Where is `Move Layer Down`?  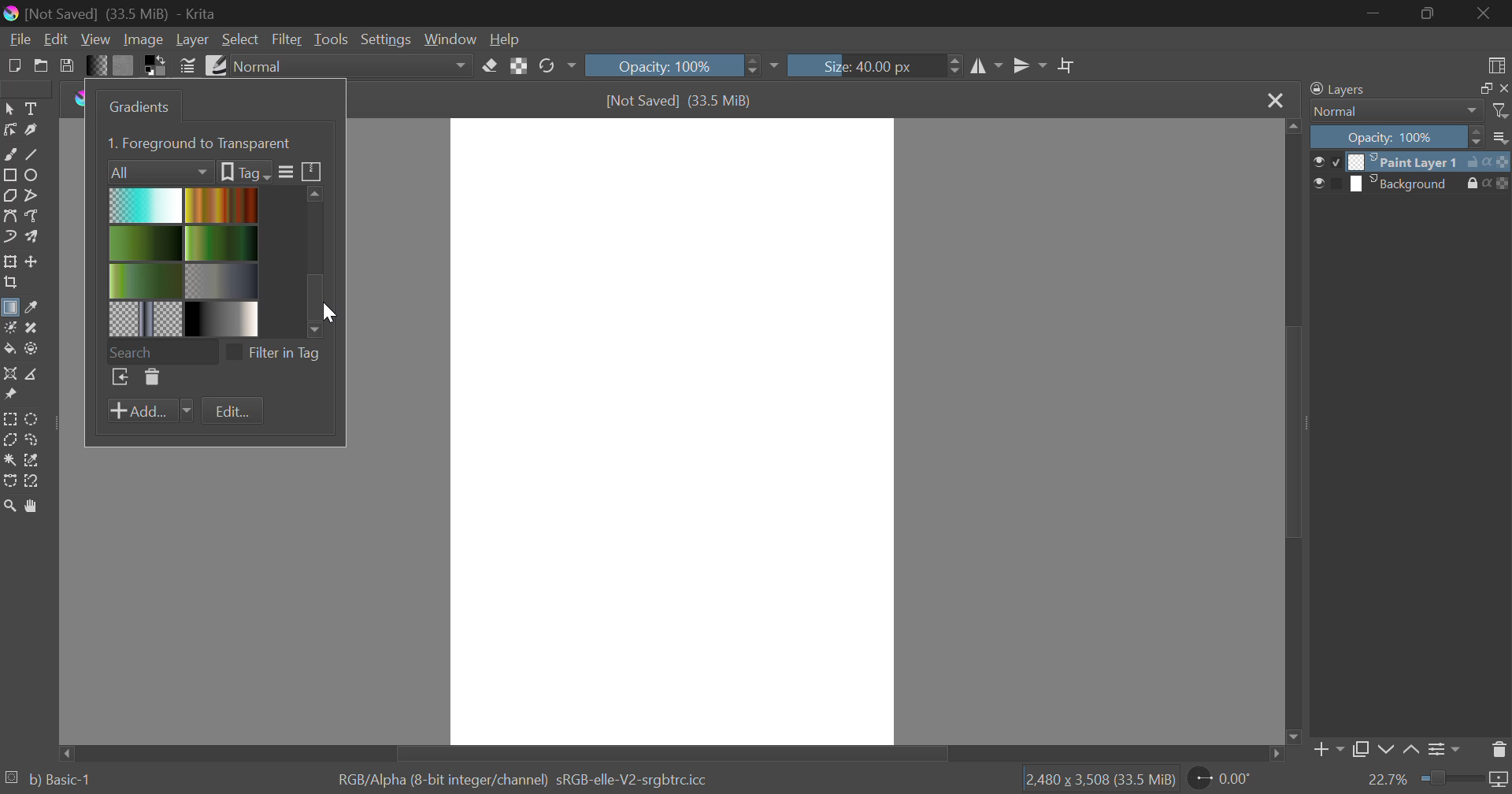
Move Layer Down is located at coordinates (1386, 751).